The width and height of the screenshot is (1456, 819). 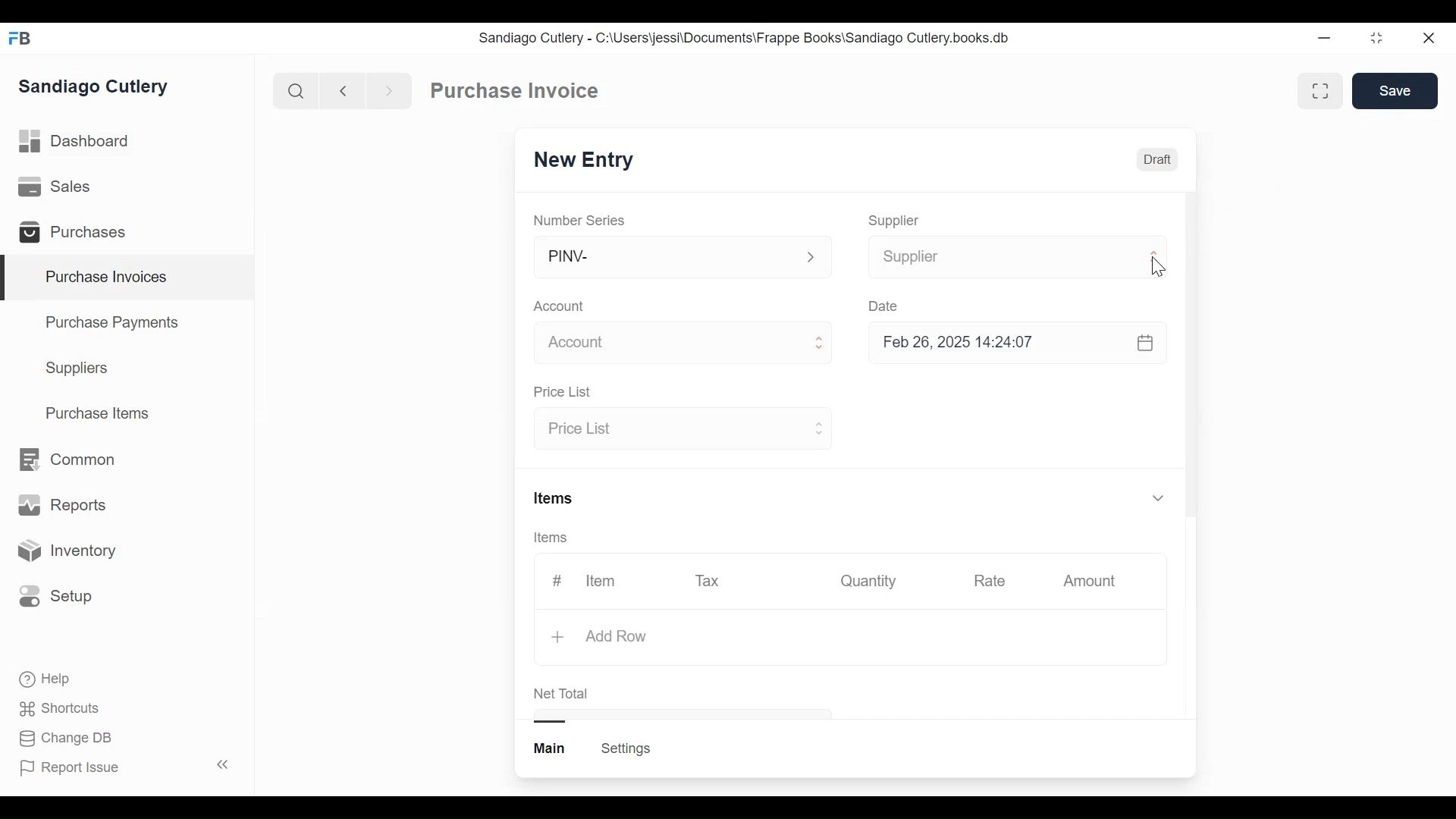 I want to click on Items, so click(x=556, y=538).